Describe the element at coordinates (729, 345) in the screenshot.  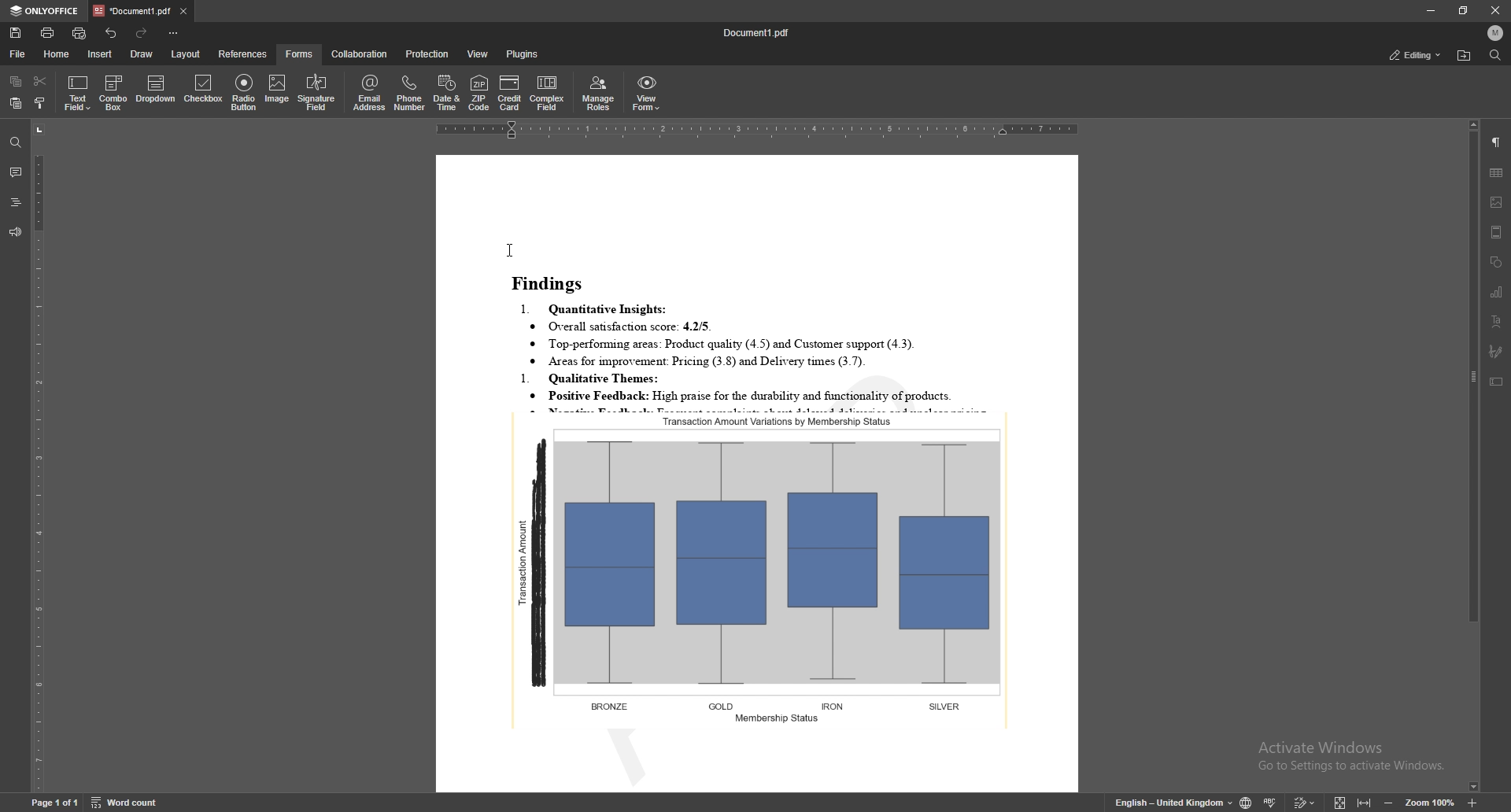
I see `® Top-performung areas: Product quality (4.5) and Customer support (4.3).` at that location.